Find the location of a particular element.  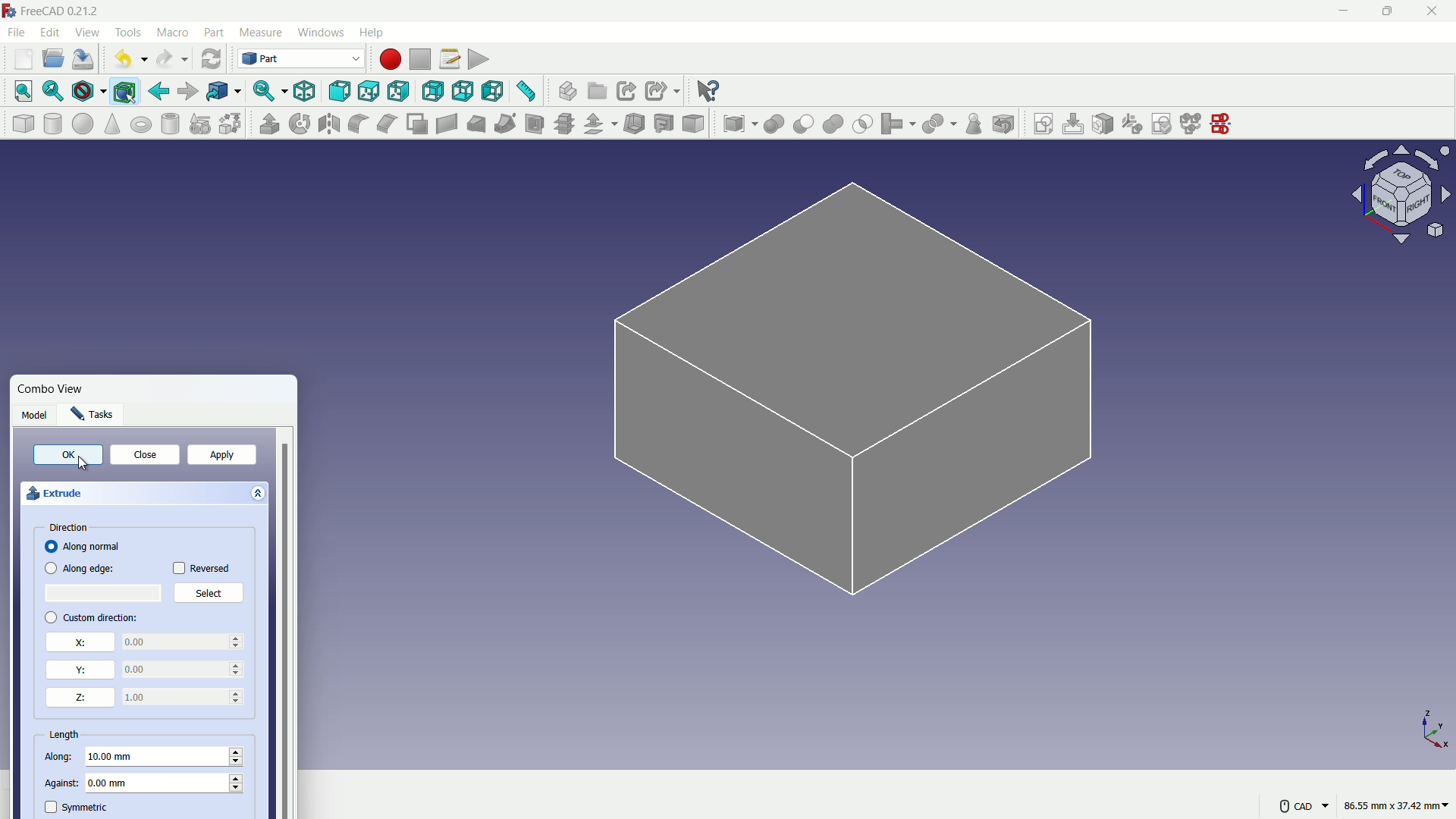

section is located at coordinates (536, 125).